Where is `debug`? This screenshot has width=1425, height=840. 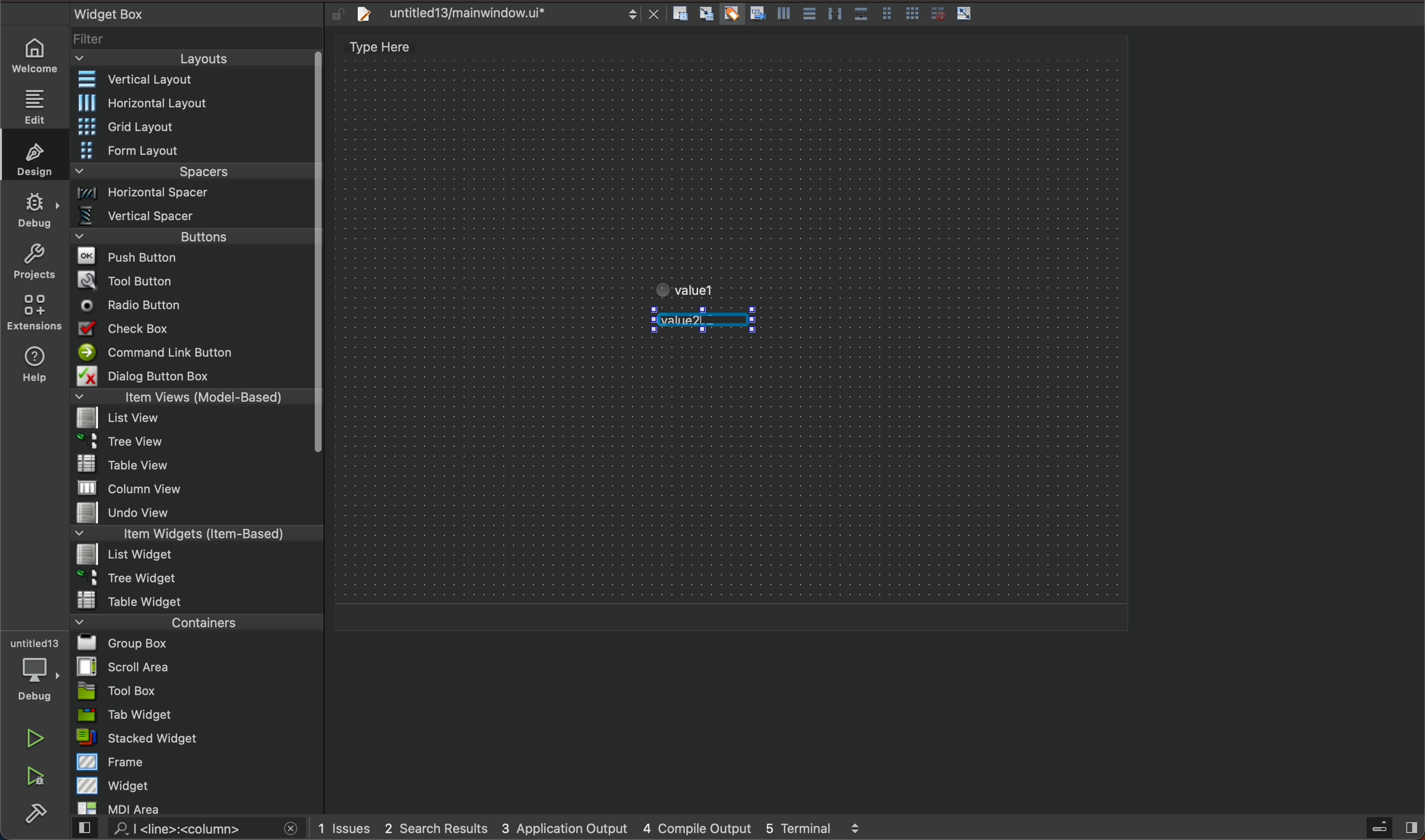
debug is located at coordinates (41, 671).